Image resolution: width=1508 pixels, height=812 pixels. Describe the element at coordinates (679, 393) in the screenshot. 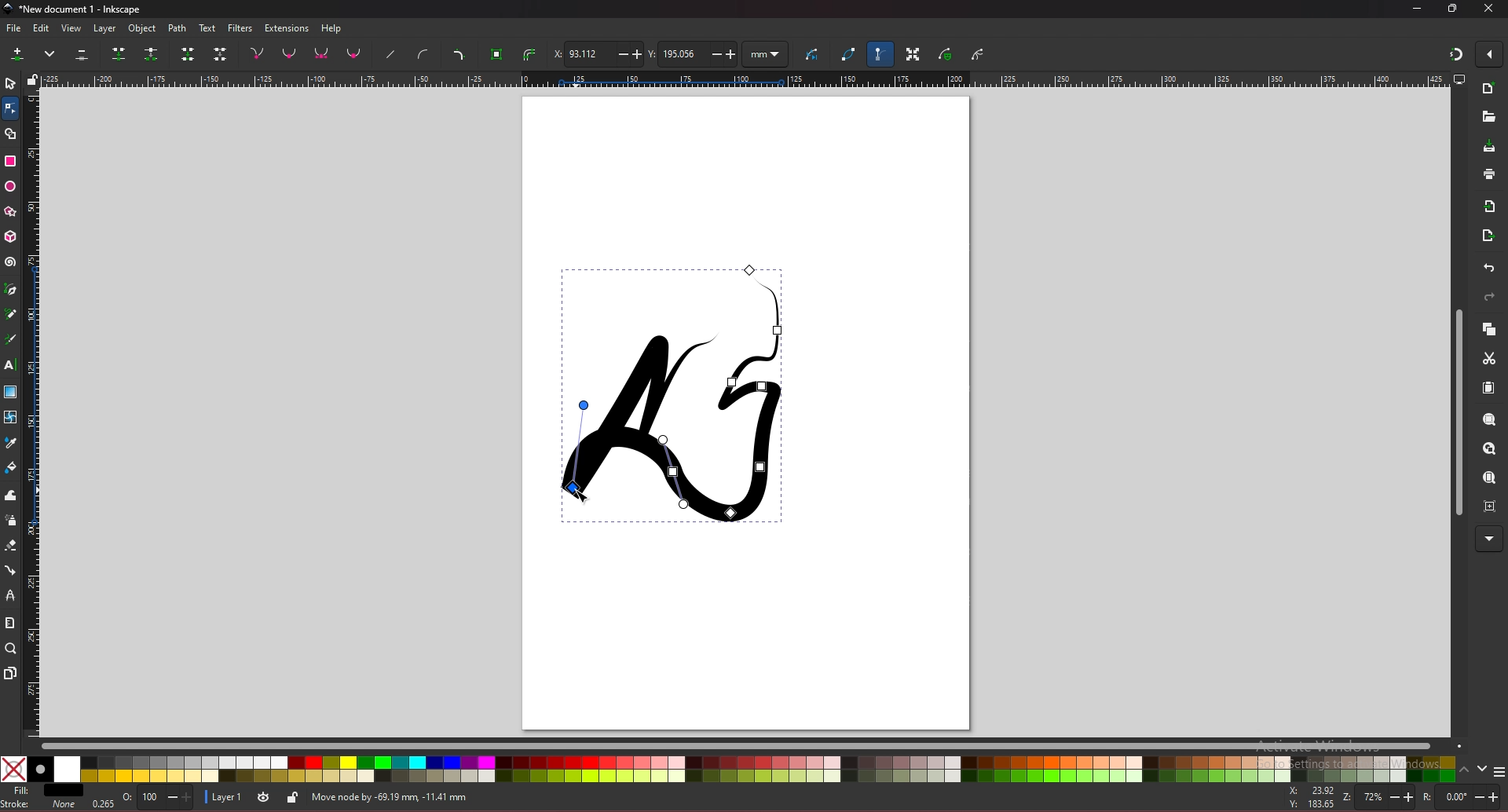

I see `drawing` at that location.